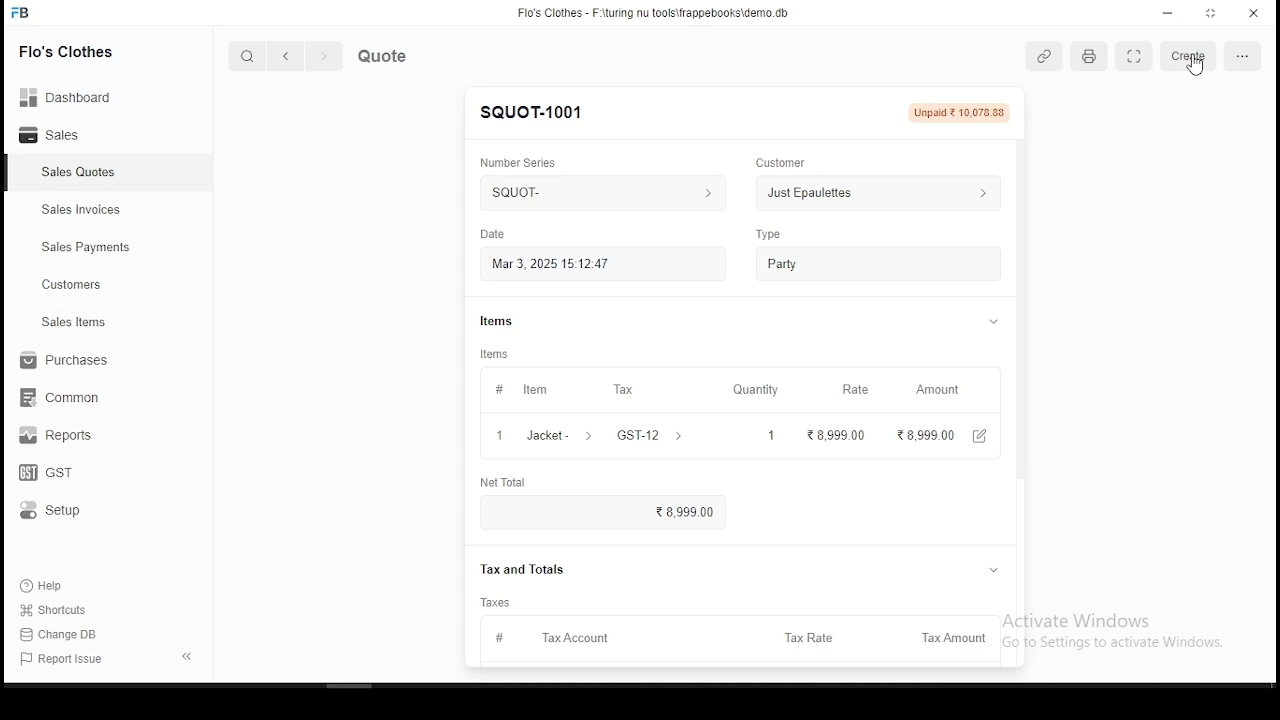 The height and width of the screenshot is (720, 1280). I want to click on 1-1, so click(237, 658).